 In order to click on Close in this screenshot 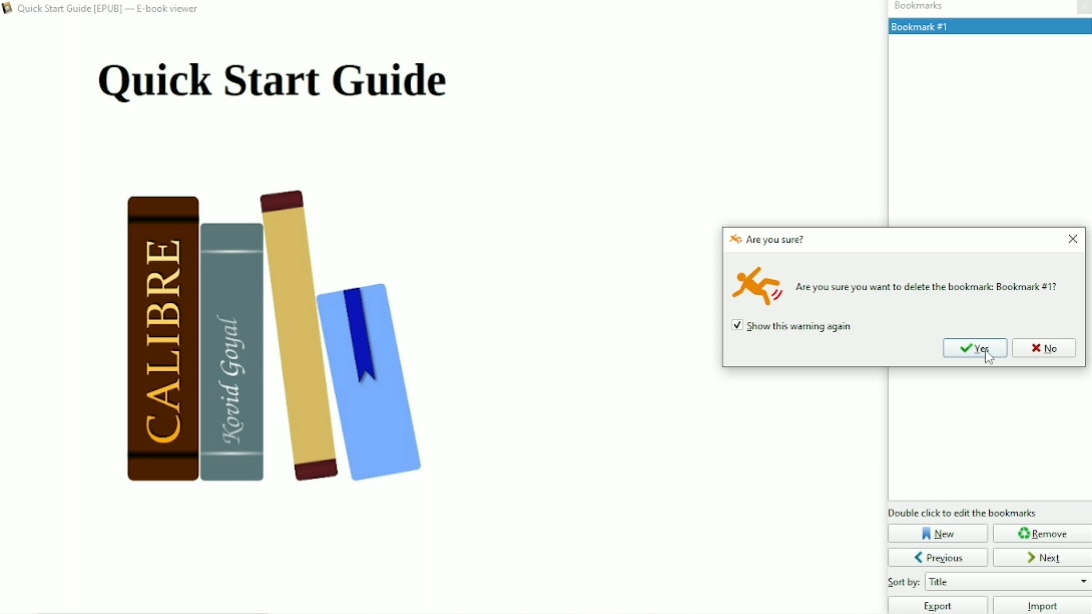, I will do `click(1083, 8)`.